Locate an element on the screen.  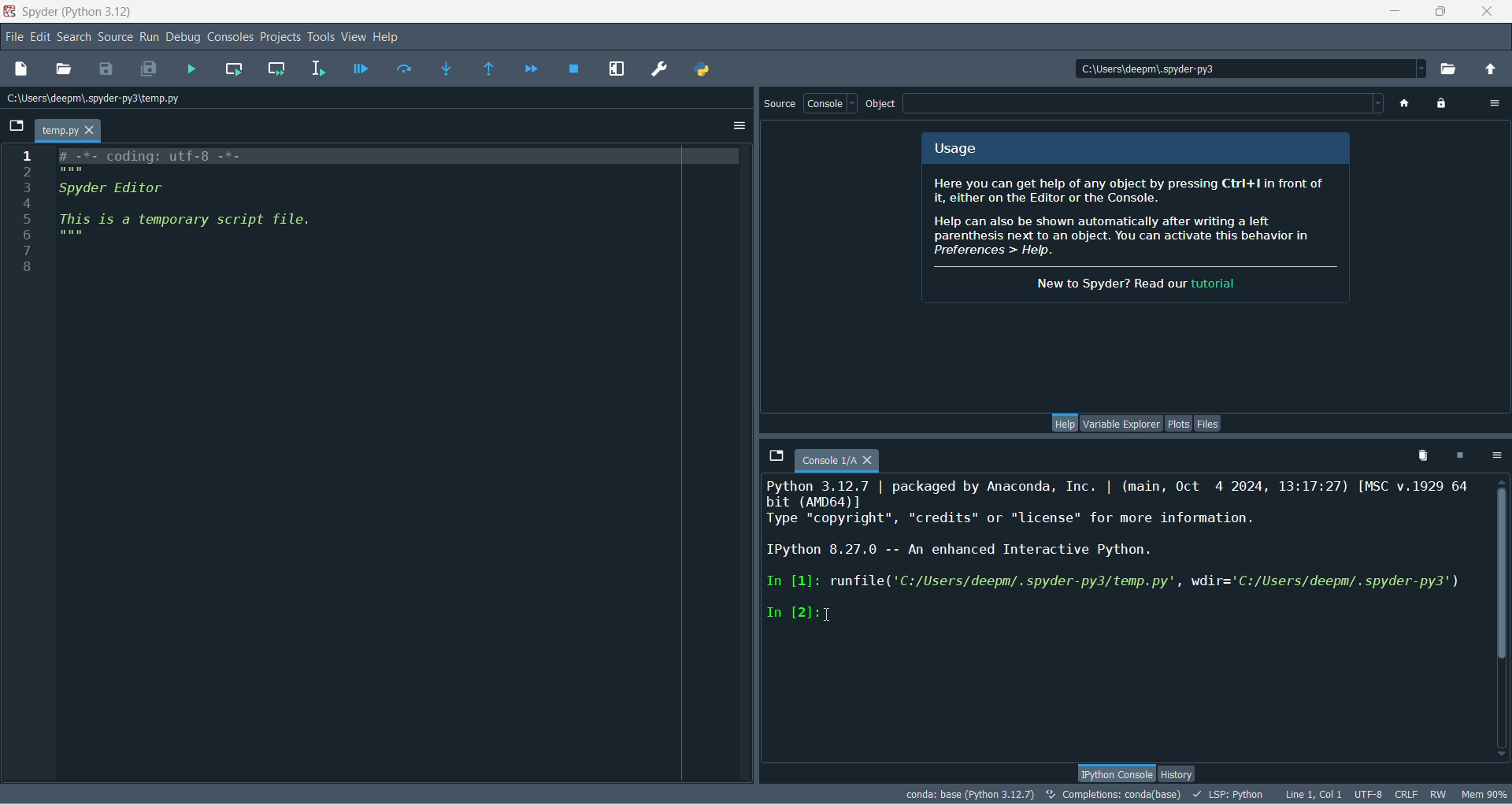
vertical scroll bar is located at coordinates (1499, 618).